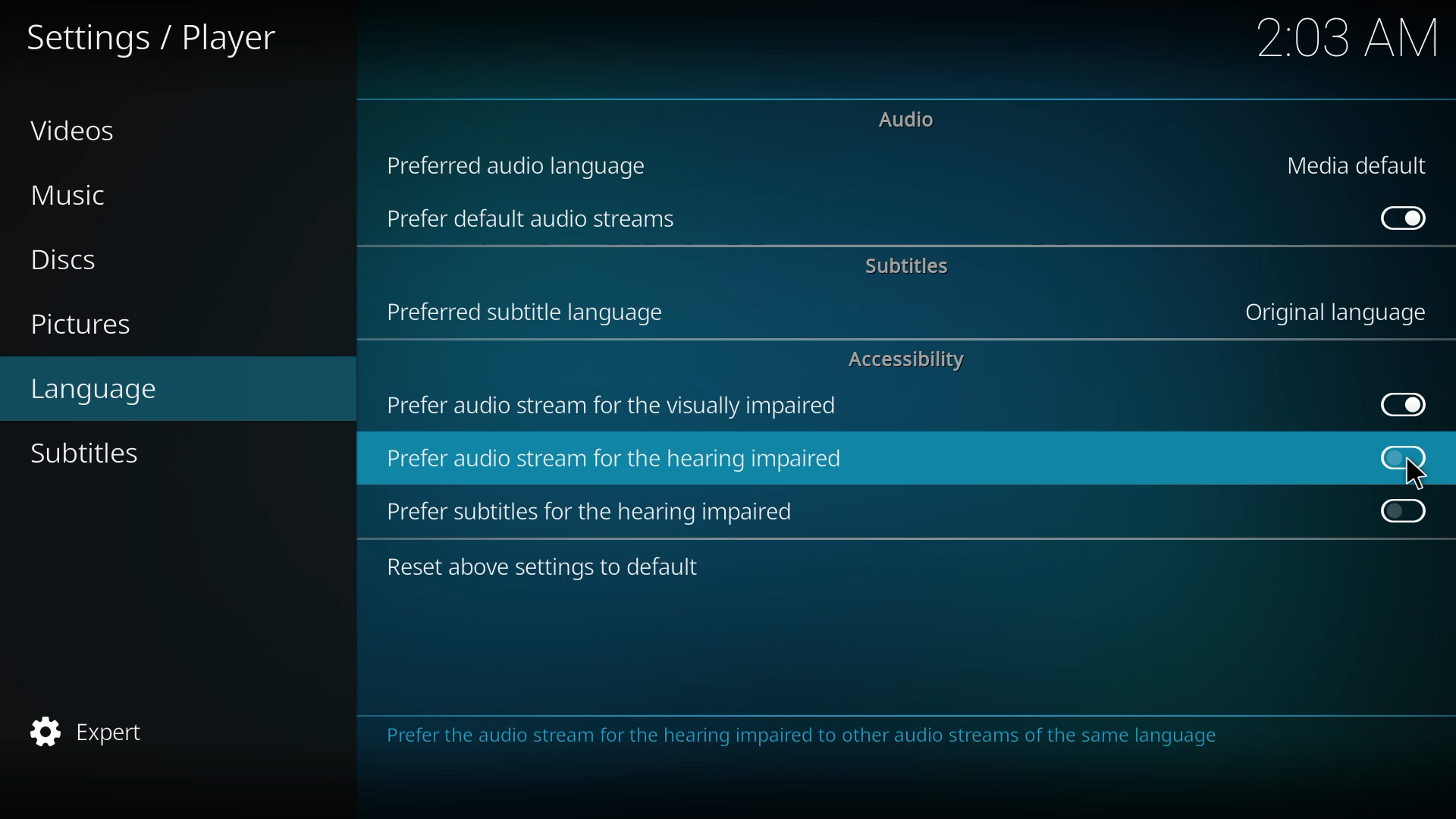 This screenshot has width=1456, height=819. Describe the element at coordinates (904, 267) in the screenshot. I see `subtitles` at that location.